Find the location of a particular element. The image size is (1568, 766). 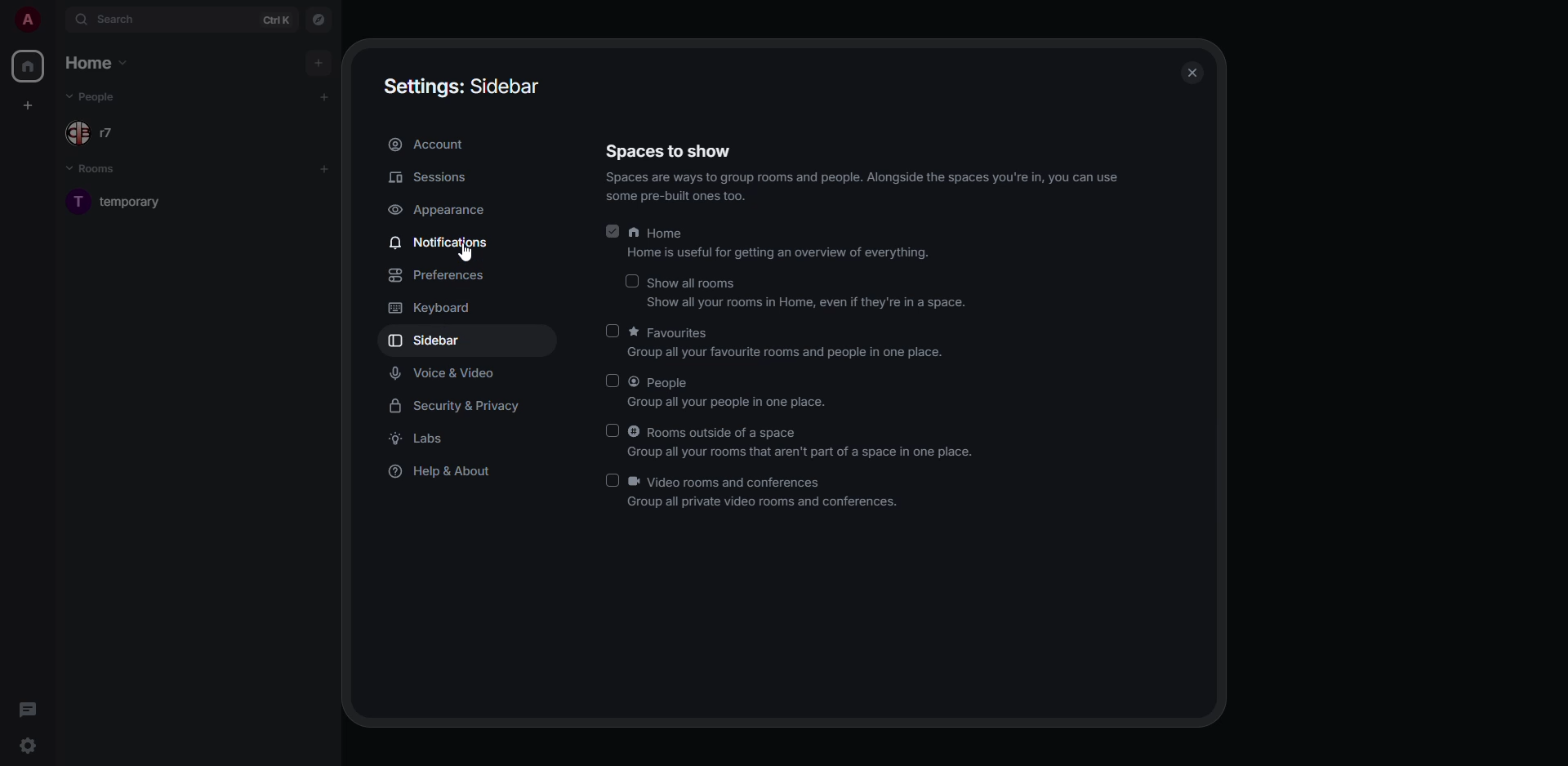

security & privacy is located at coordinates (457, 405).